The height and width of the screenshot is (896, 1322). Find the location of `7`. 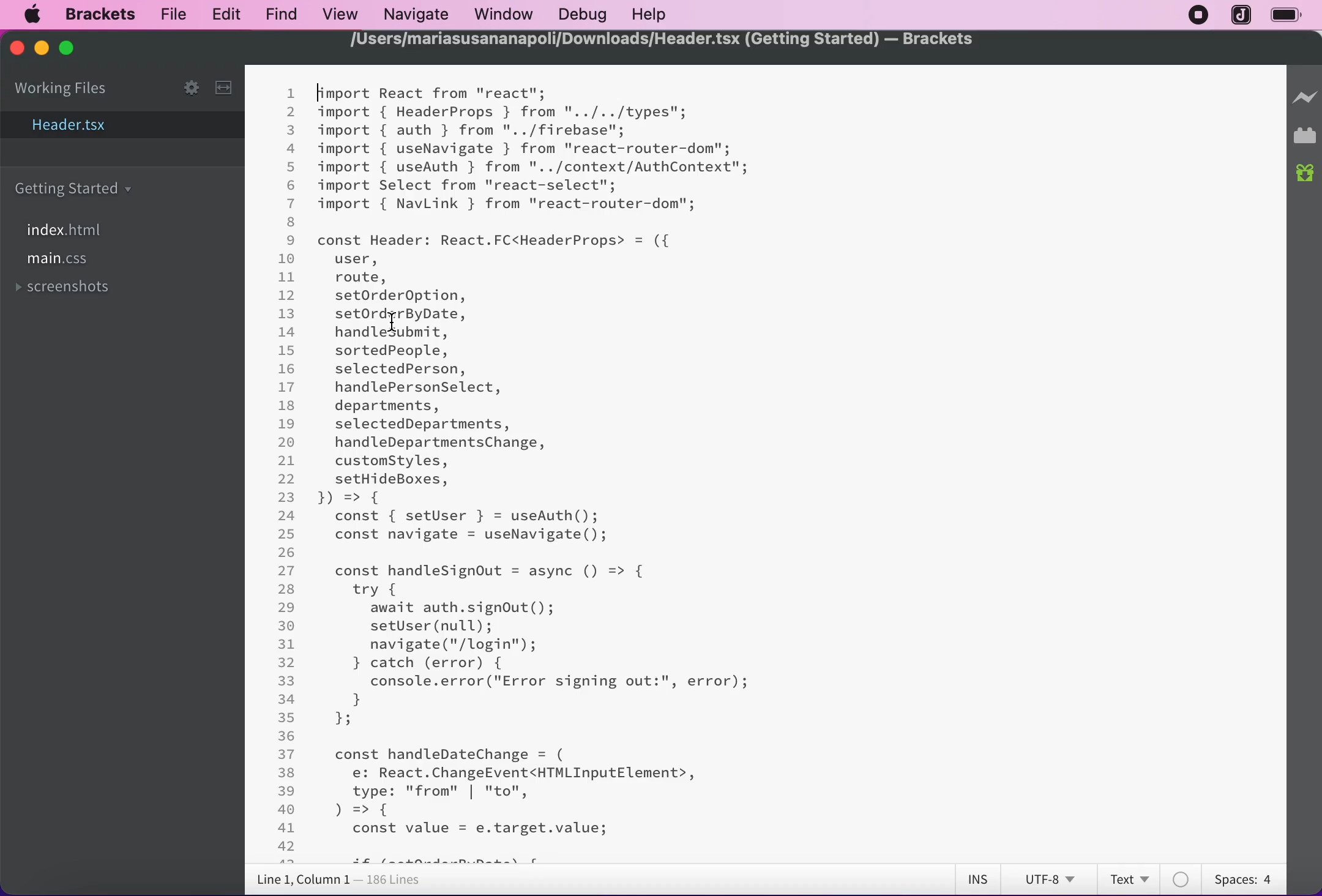

7 is located at coordinates (291, 203).